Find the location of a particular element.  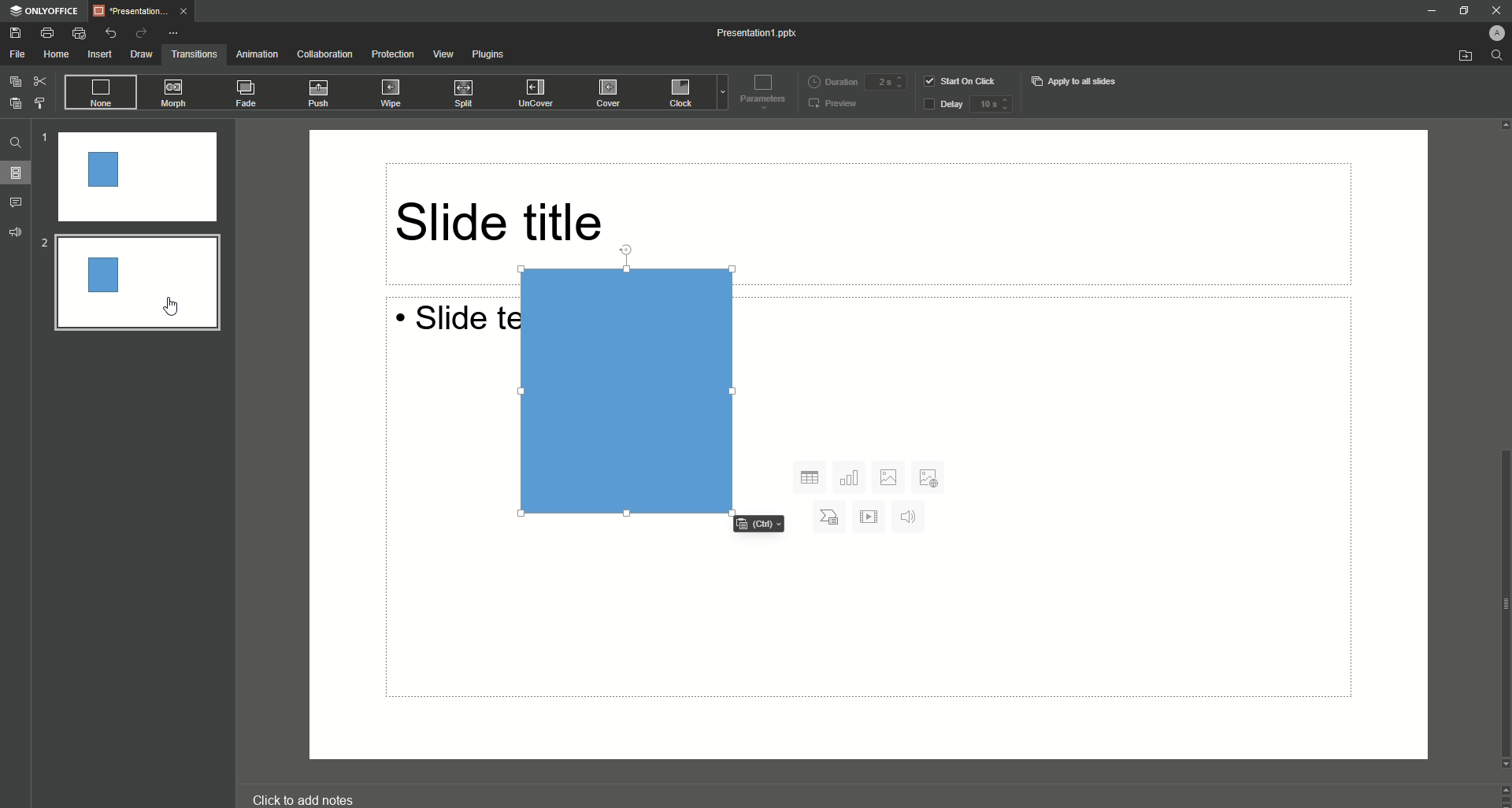

Slide text is located at coordinates (439, 320).